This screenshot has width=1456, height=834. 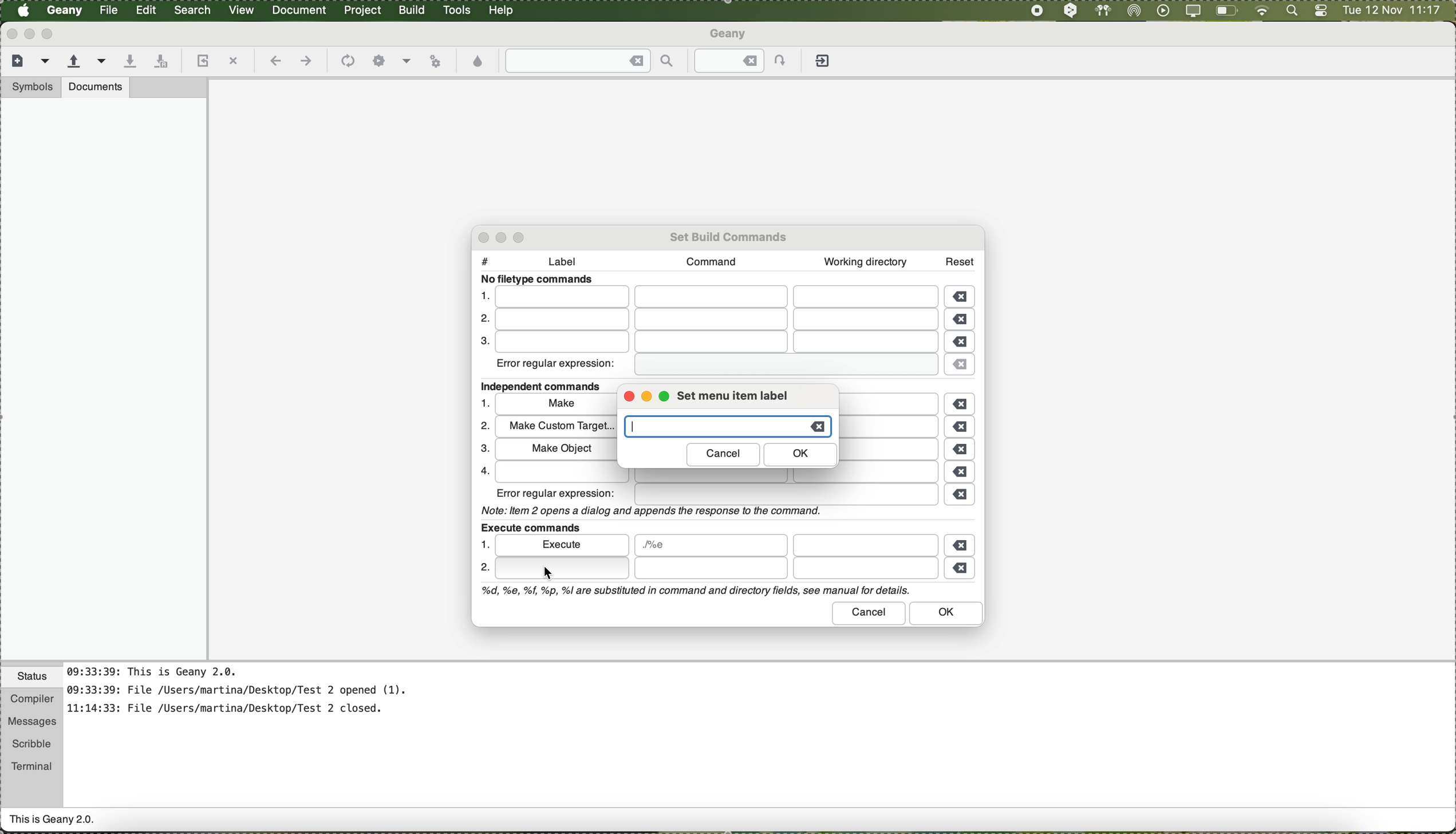 I want to click on create a new file from a template, so click(x=47, y=62).